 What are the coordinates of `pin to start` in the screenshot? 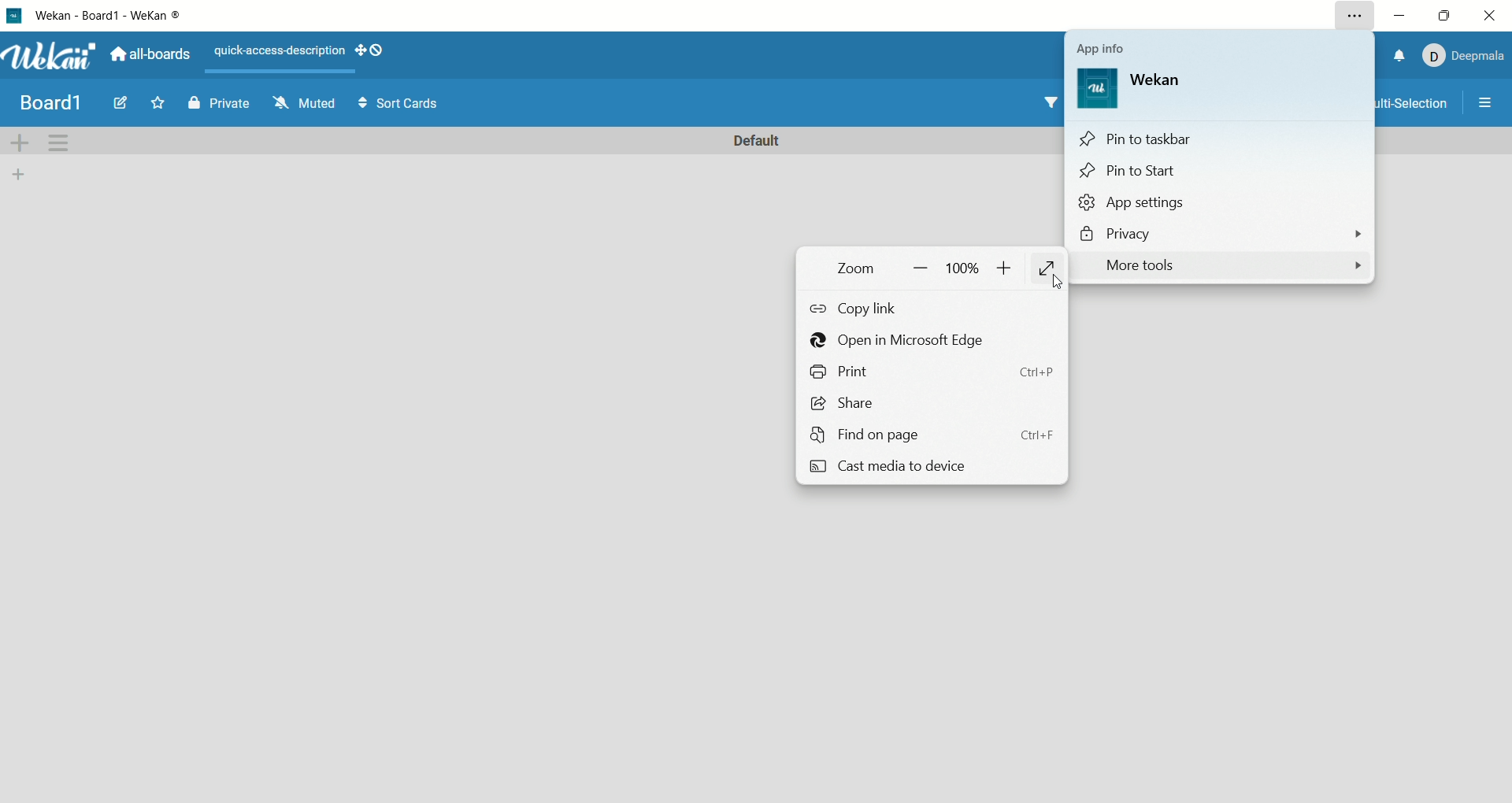 It's located at (1220, 173).